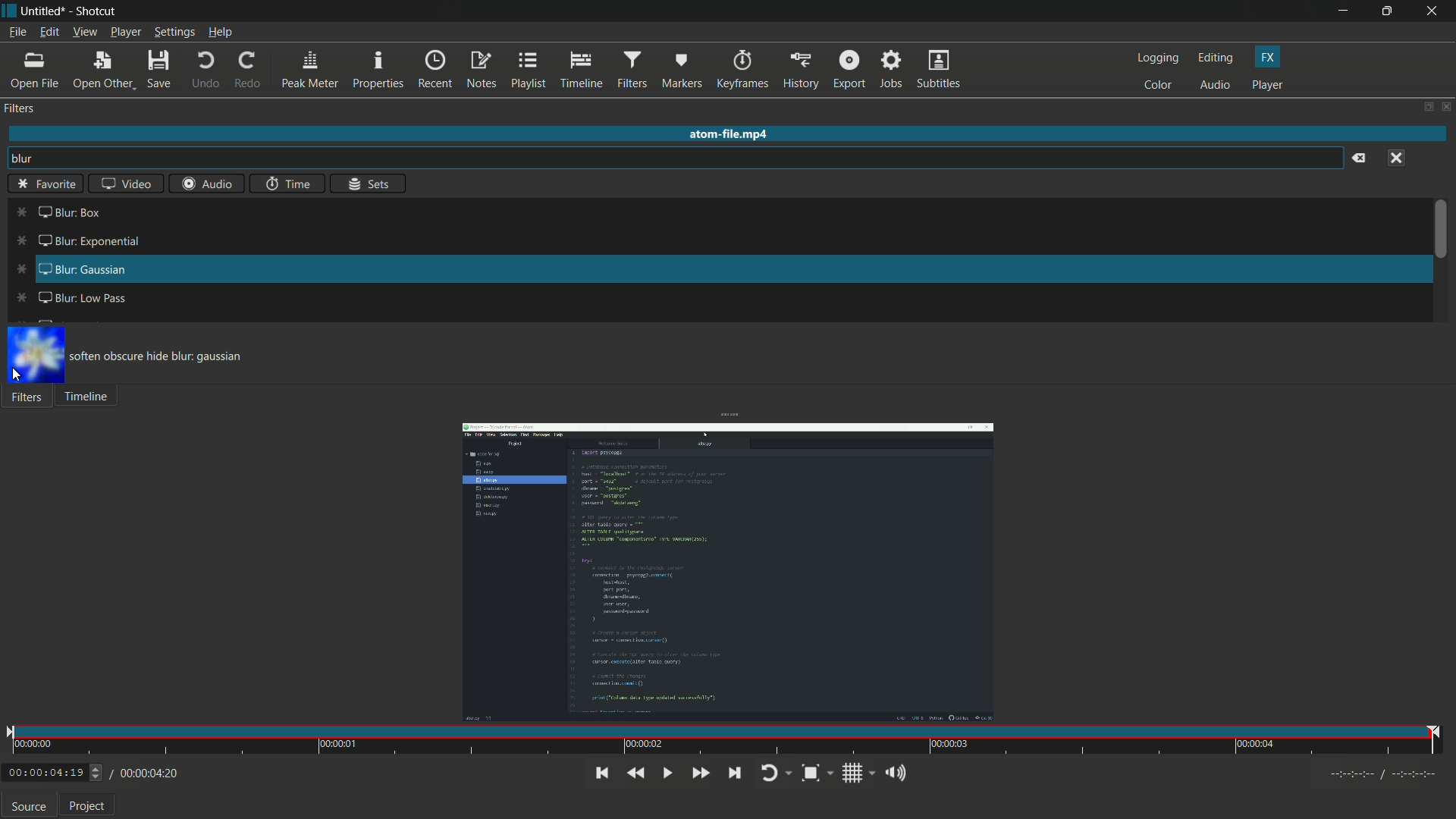 The height and width of the screenshot is (819, 1456). What do you see at coordinates (1159, 86) in the screenshot?
I see `color` at bounding box center [1159, 86].